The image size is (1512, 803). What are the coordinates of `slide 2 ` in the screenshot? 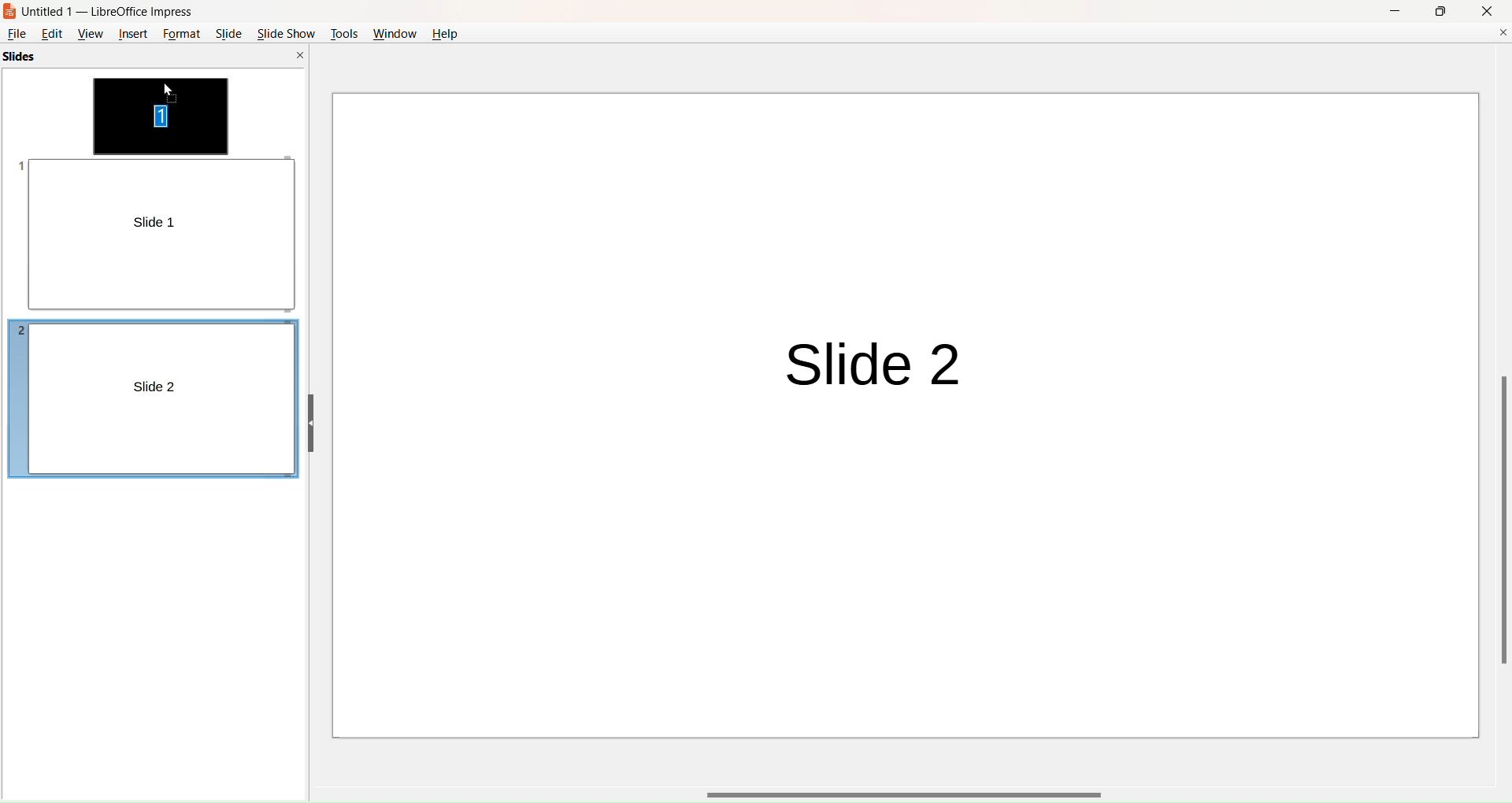 It's located at (865, 368).